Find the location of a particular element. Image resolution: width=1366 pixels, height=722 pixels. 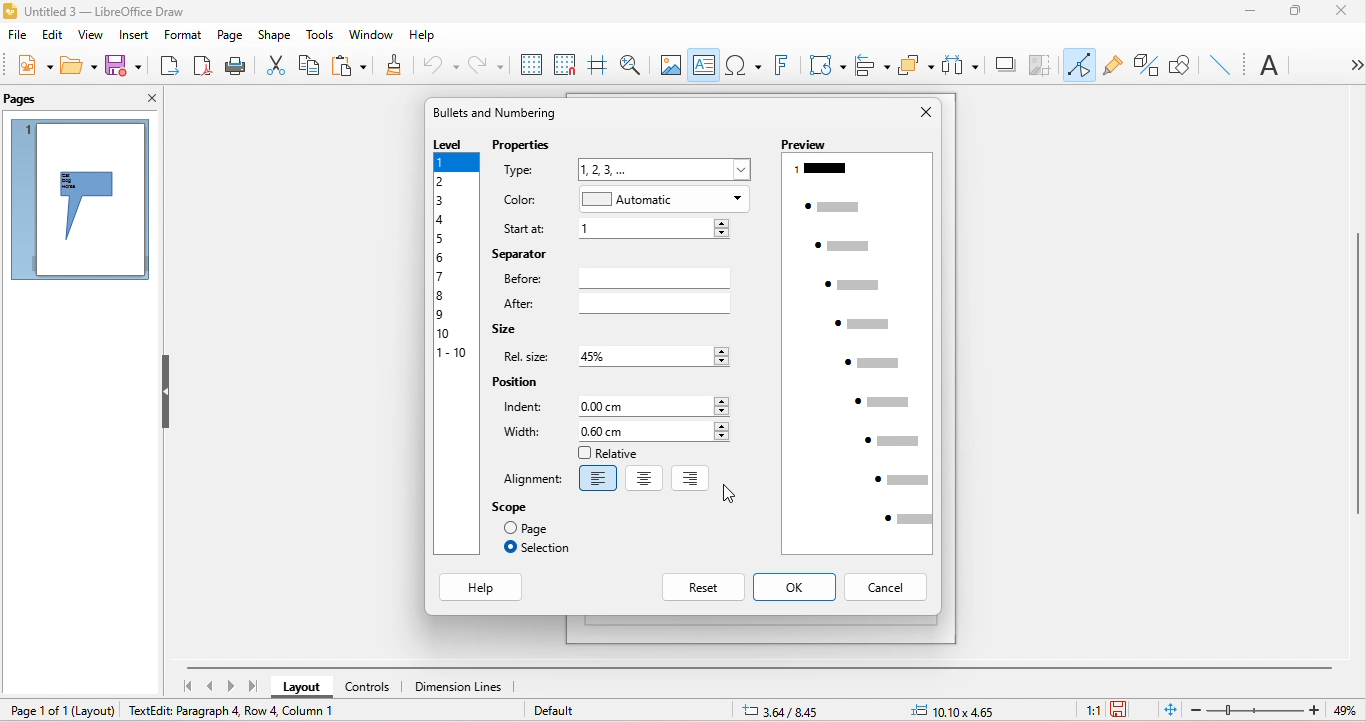

hide is located at coordinates (163, 392).